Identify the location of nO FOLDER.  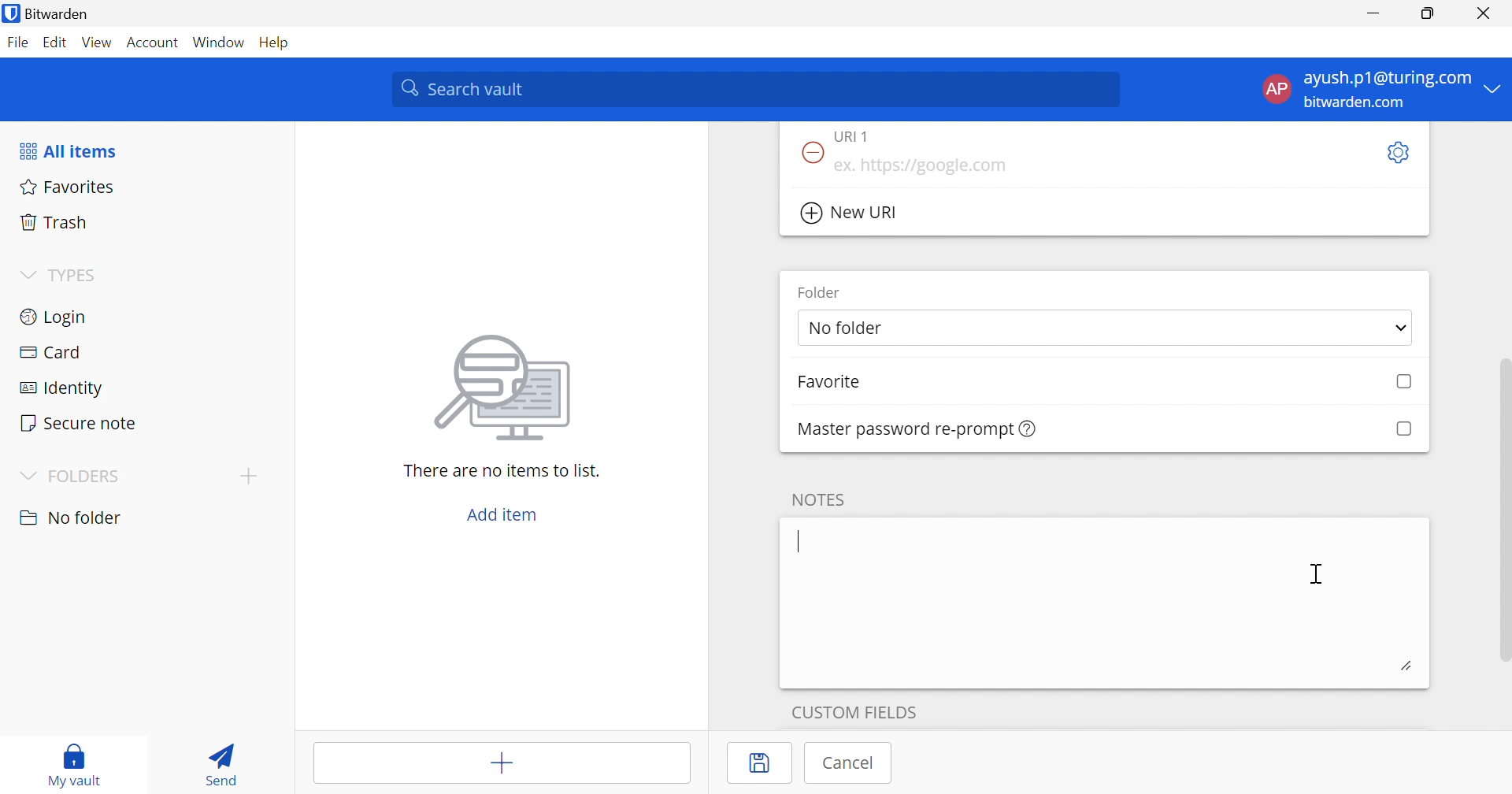
(70, 518).